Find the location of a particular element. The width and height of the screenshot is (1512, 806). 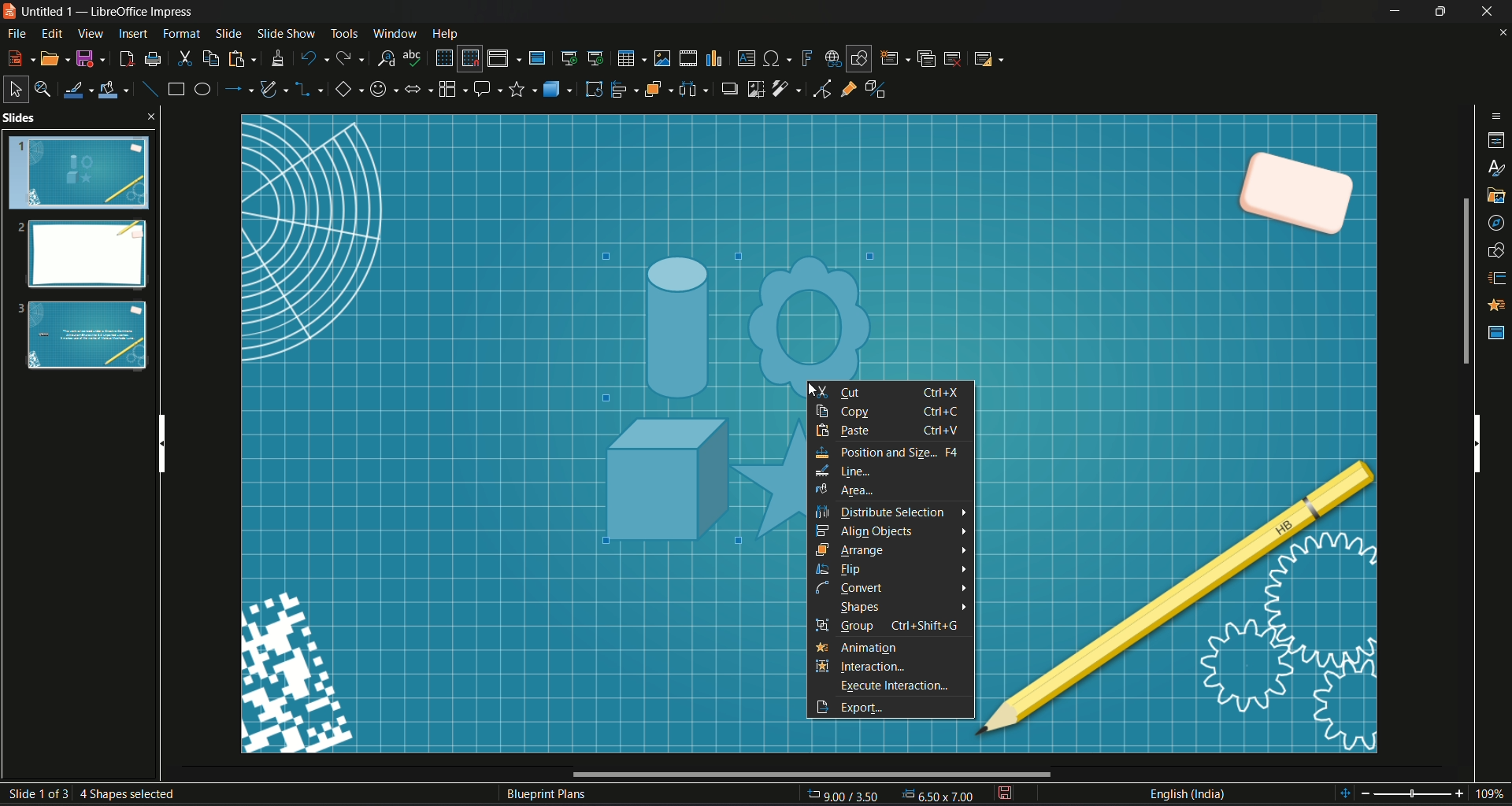

insert line is located at coordinates (149, 89).